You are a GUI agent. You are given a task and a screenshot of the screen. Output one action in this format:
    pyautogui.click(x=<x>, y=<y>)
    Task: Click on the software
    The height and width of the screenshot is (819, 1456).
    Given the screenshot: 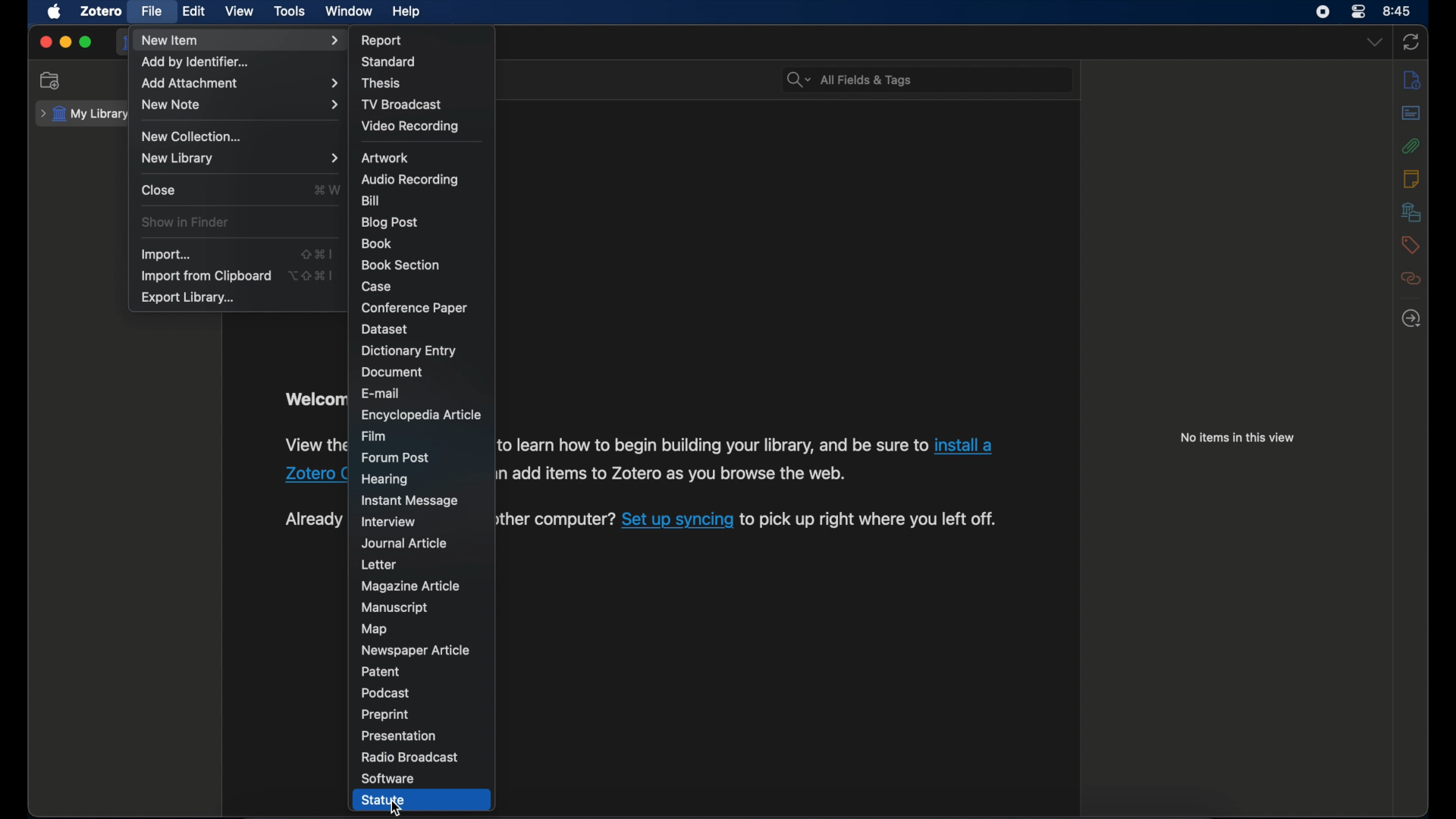 What is the action you would take?
    pyautogui.click(x=388, y=779)
    